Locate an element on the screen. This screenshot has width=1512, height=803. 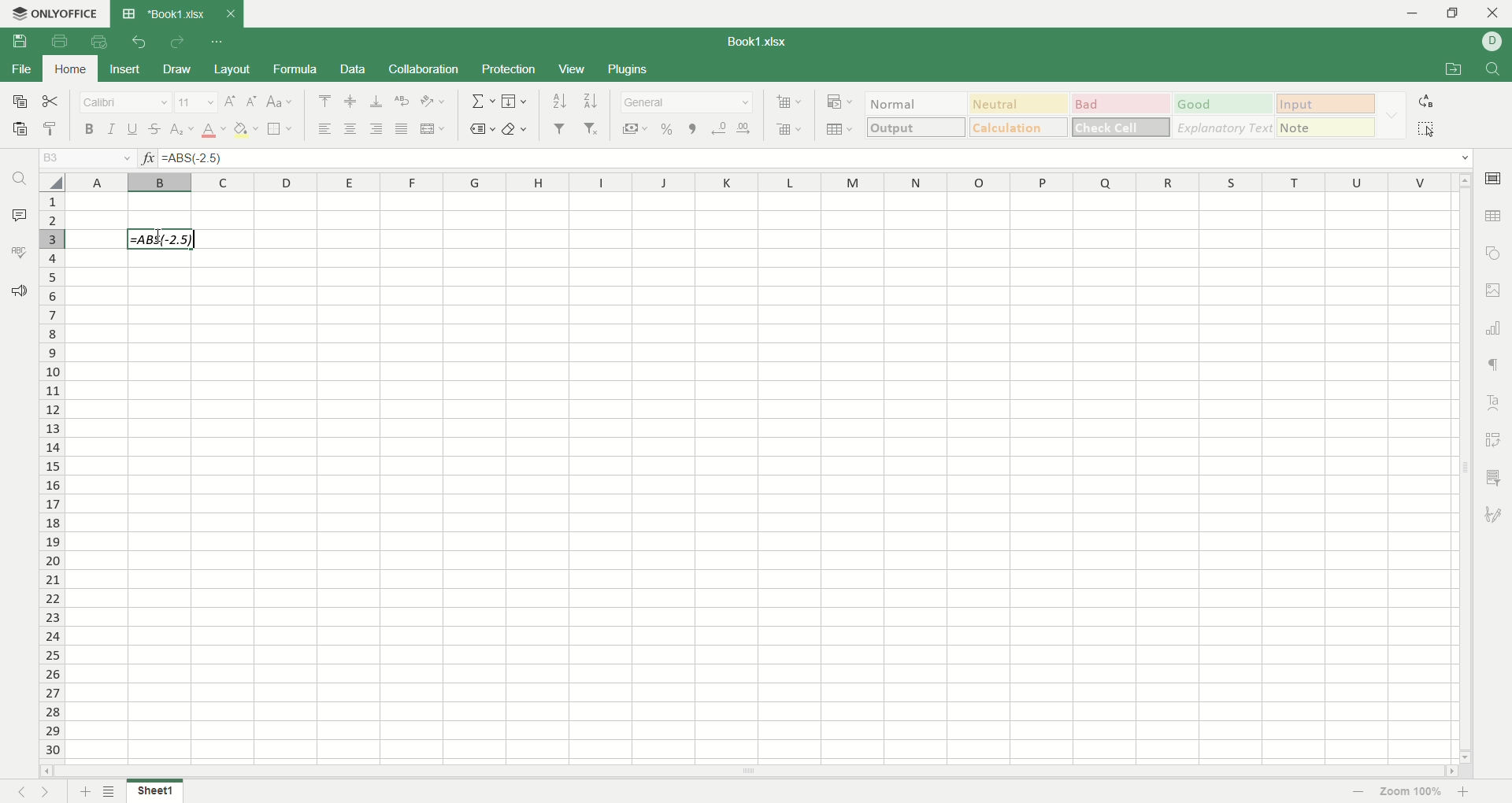
calculation is located at coordinates (1020, 127).